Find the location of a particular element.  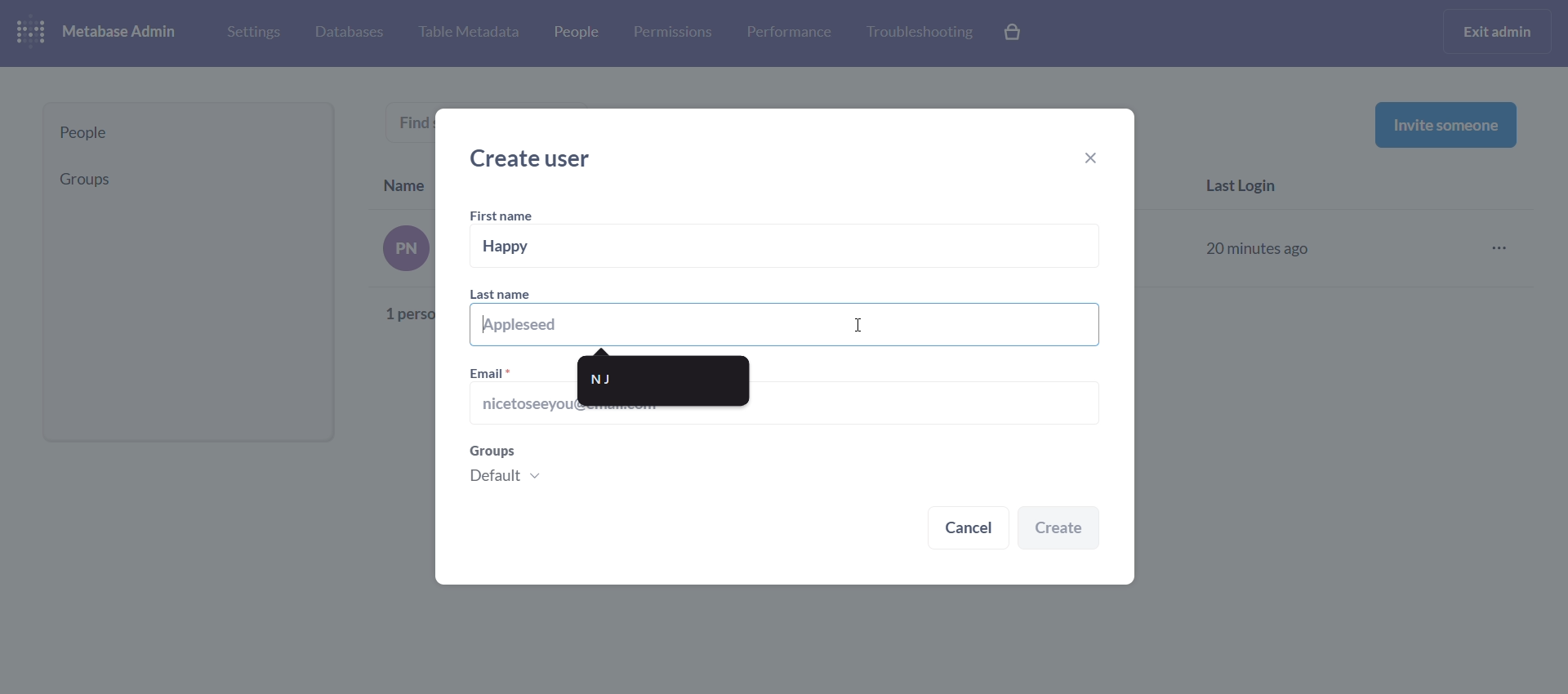

text is located at coordinates (400, 273).